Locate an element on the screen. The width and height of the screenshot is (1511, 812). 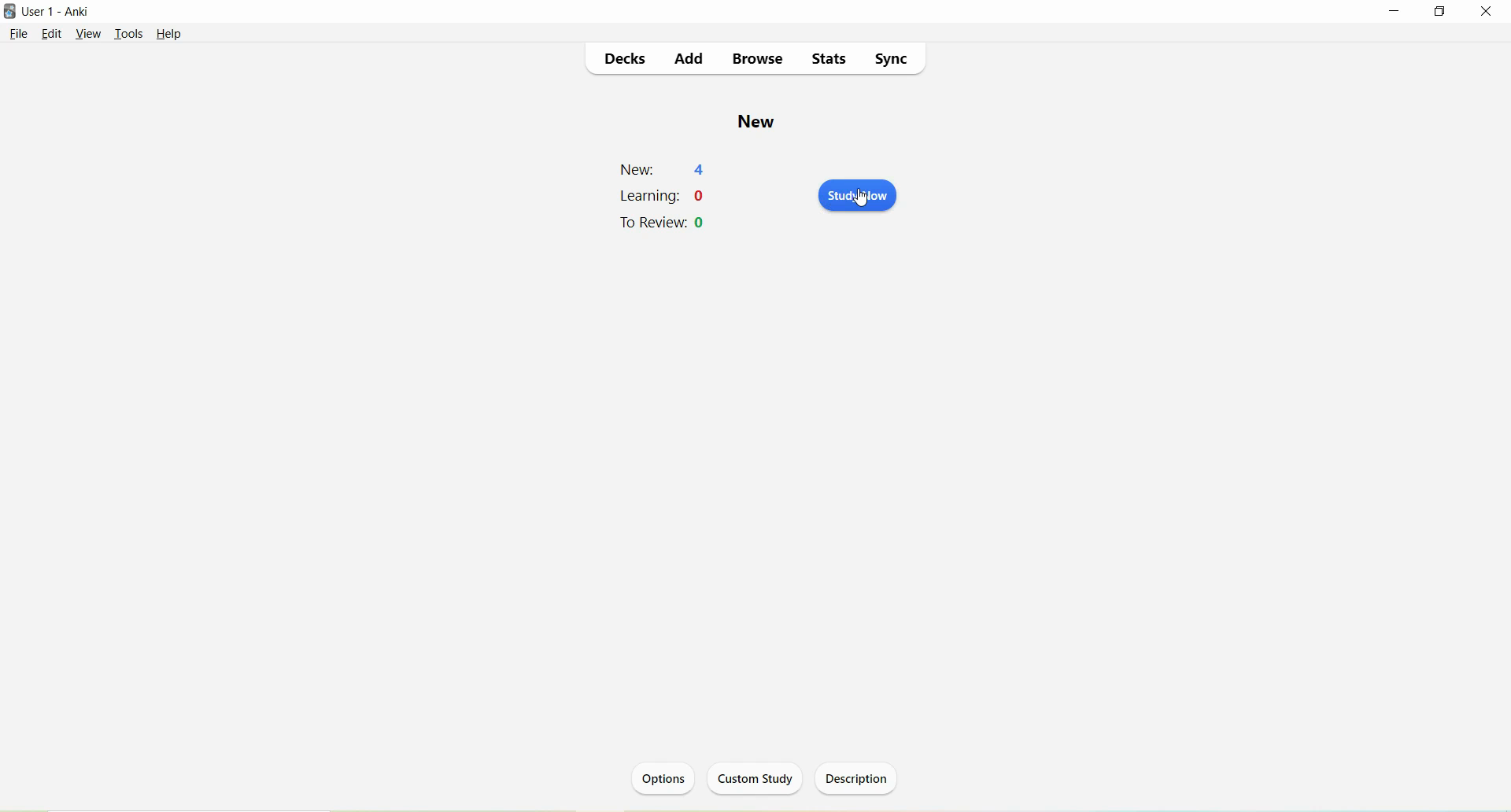
Learning: is located at coordinates (651, 196).